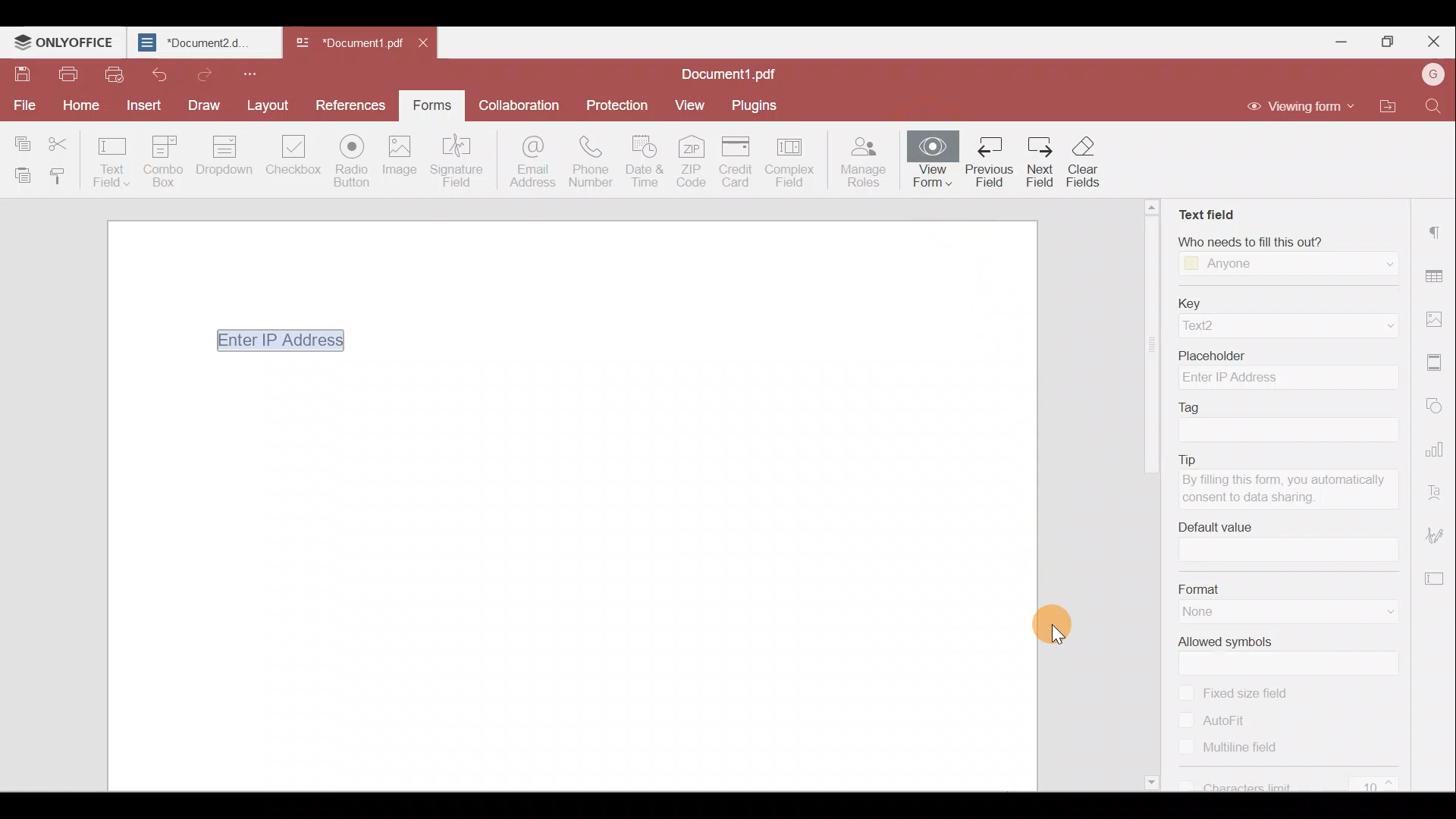 This screenshot has height=819, width=1456. Describe the element at coordinates (757, 105) in the screenshot. I see `Plugins` at that location.